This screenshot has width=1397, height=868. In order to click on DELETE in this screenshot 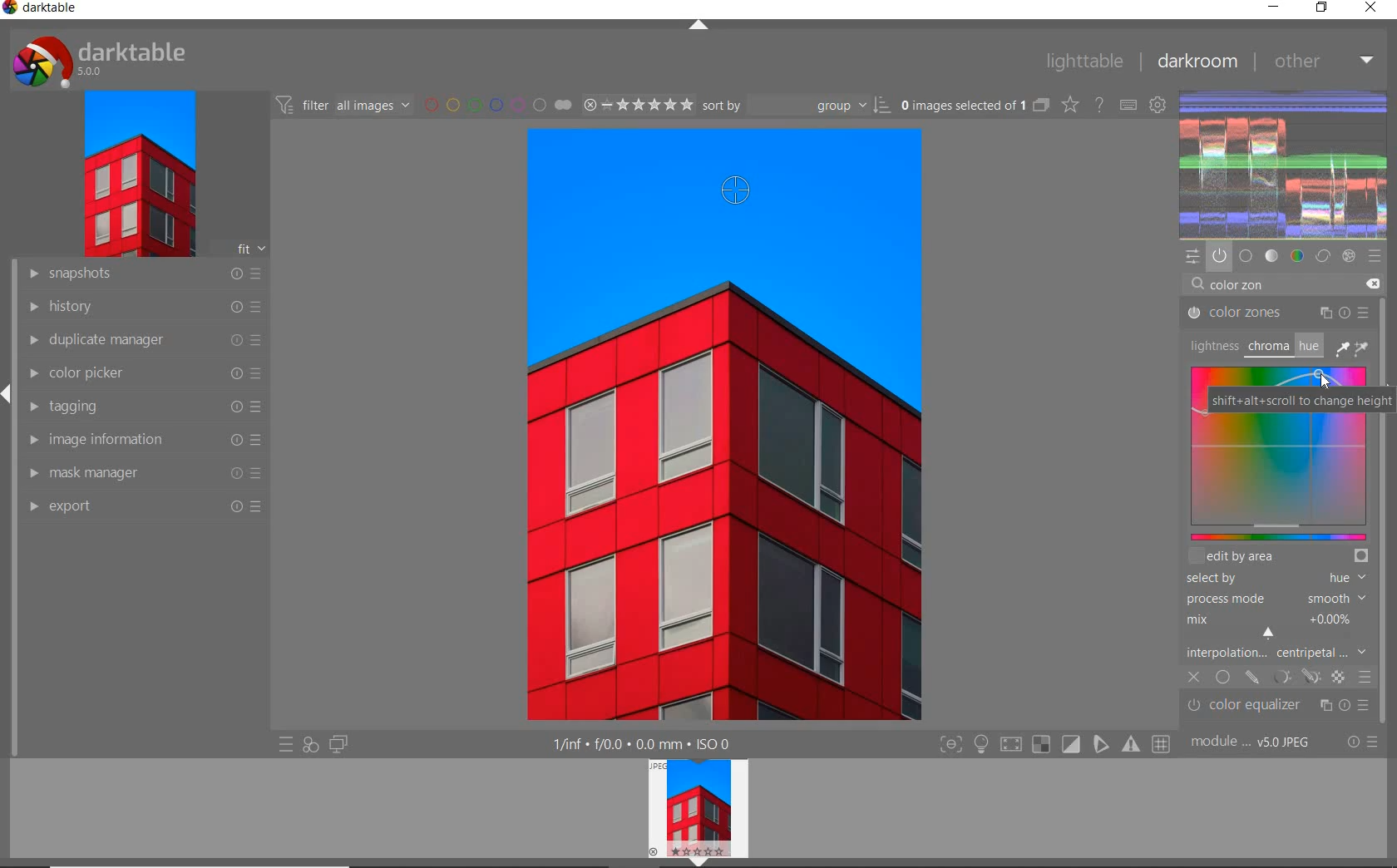, I will do `click(1372, 283)`.